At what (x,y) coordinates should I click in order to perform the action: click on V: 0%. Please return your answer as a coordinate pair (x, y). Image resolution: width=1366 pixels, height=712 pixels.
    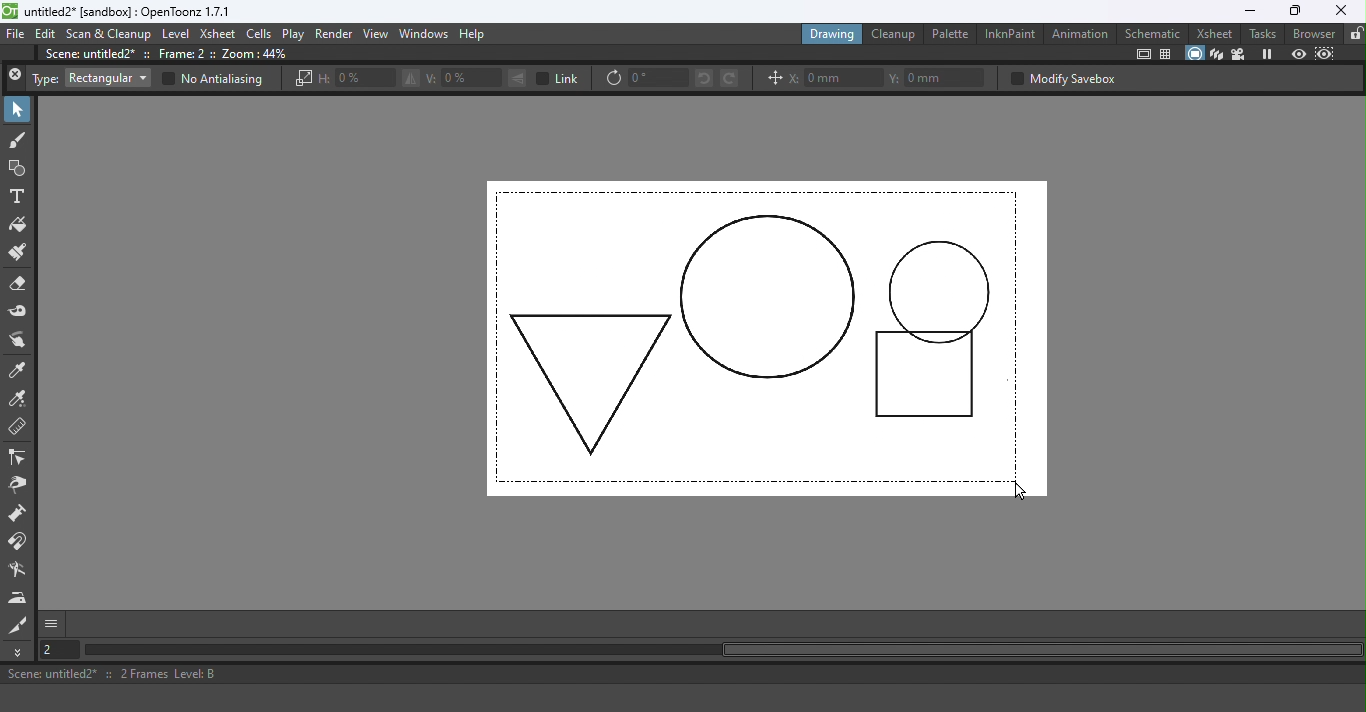
    Looking at the image, I should click on (463, 78).